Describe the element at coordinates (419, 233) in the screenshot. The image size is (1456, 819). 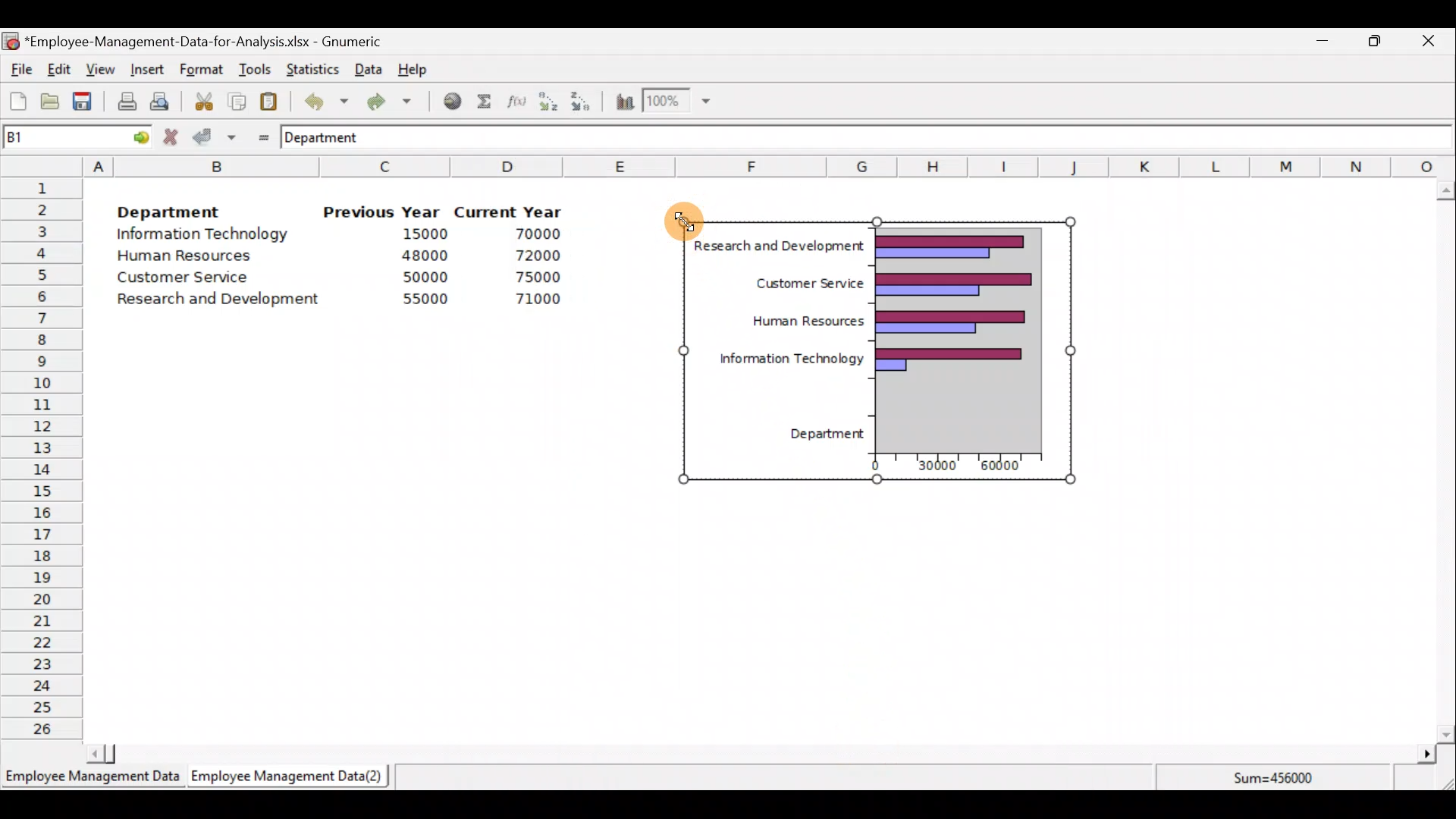
I see `15000` at that location.